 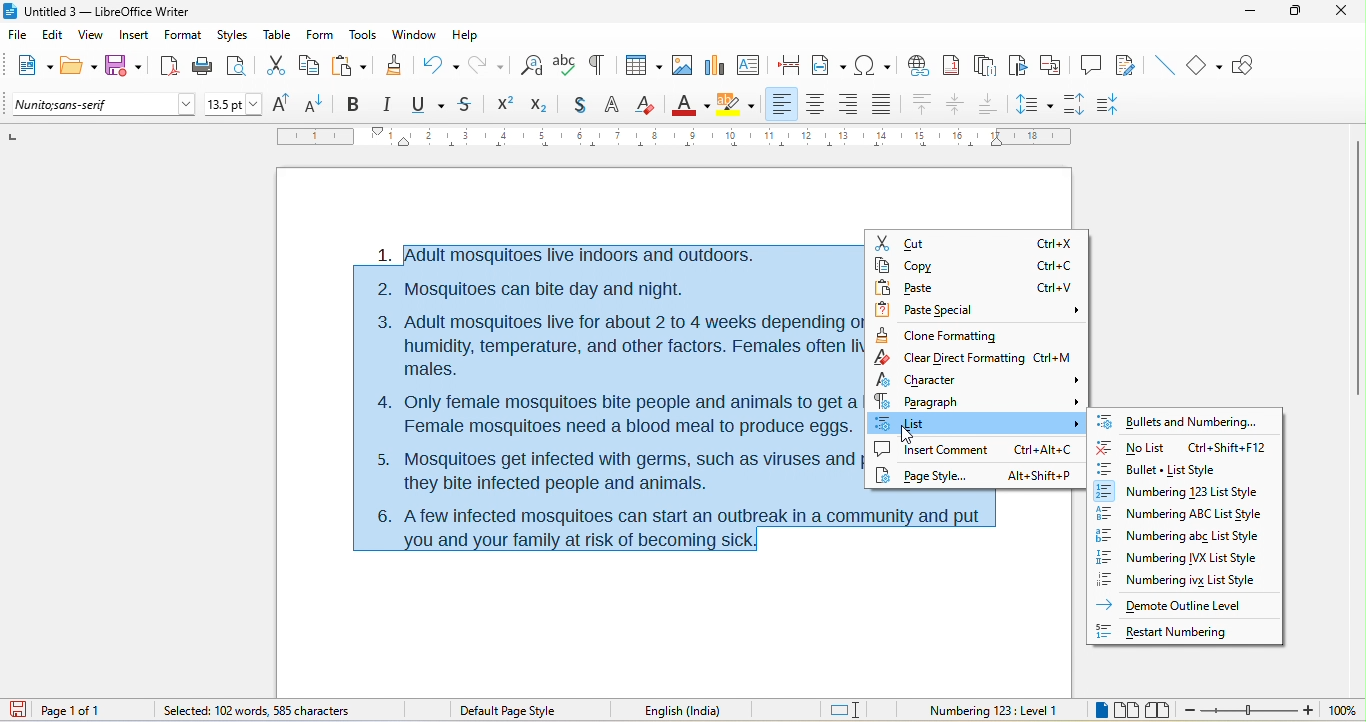 What do you see at coordinates (397, 67) in the screenshot?
I see `clone formatting` at bounding box center [397, 67].